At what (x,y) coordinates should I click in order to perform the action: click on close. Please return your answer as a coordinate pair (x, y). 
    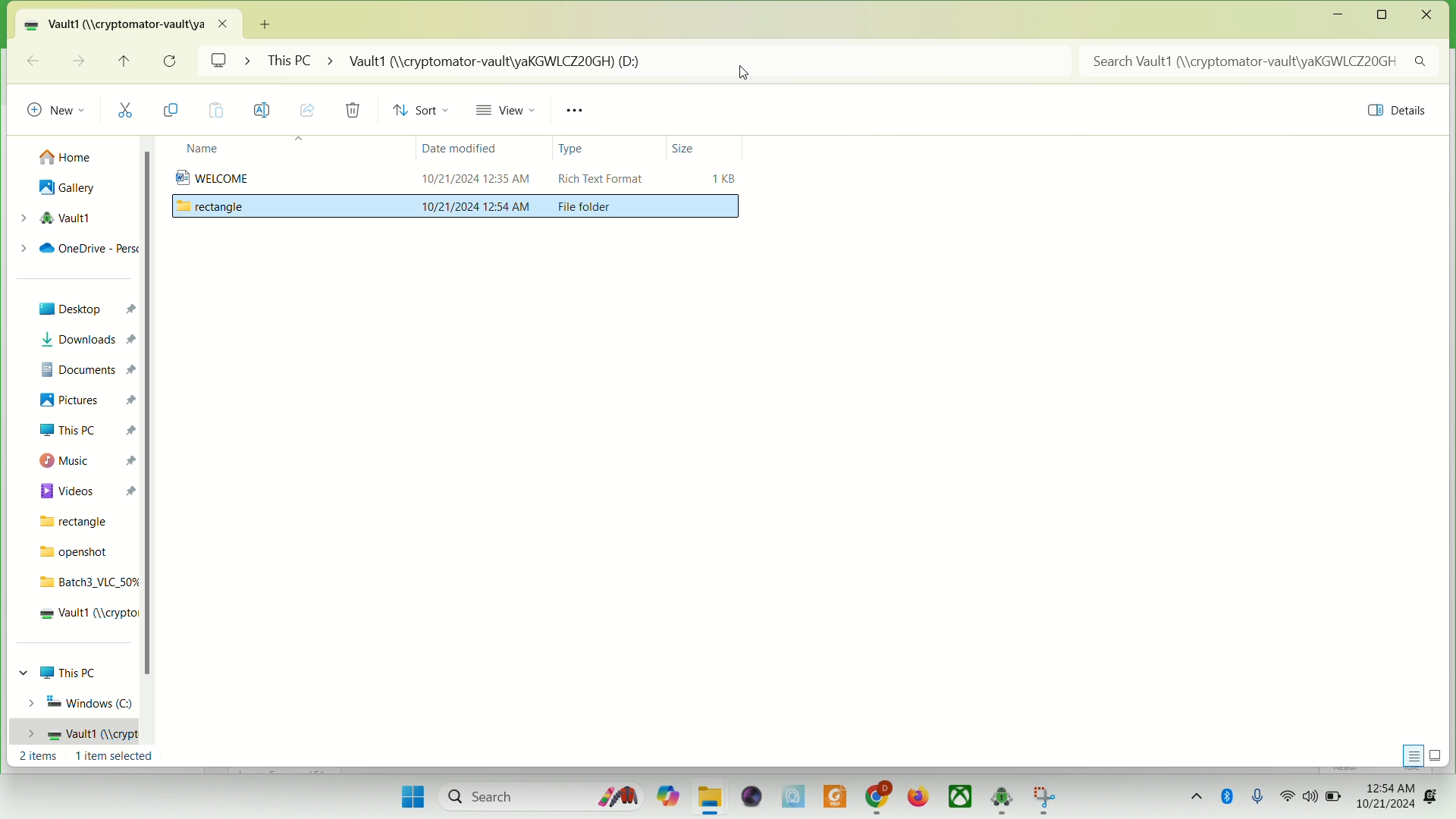
    Looking at the image, I should click on (1427, 15).